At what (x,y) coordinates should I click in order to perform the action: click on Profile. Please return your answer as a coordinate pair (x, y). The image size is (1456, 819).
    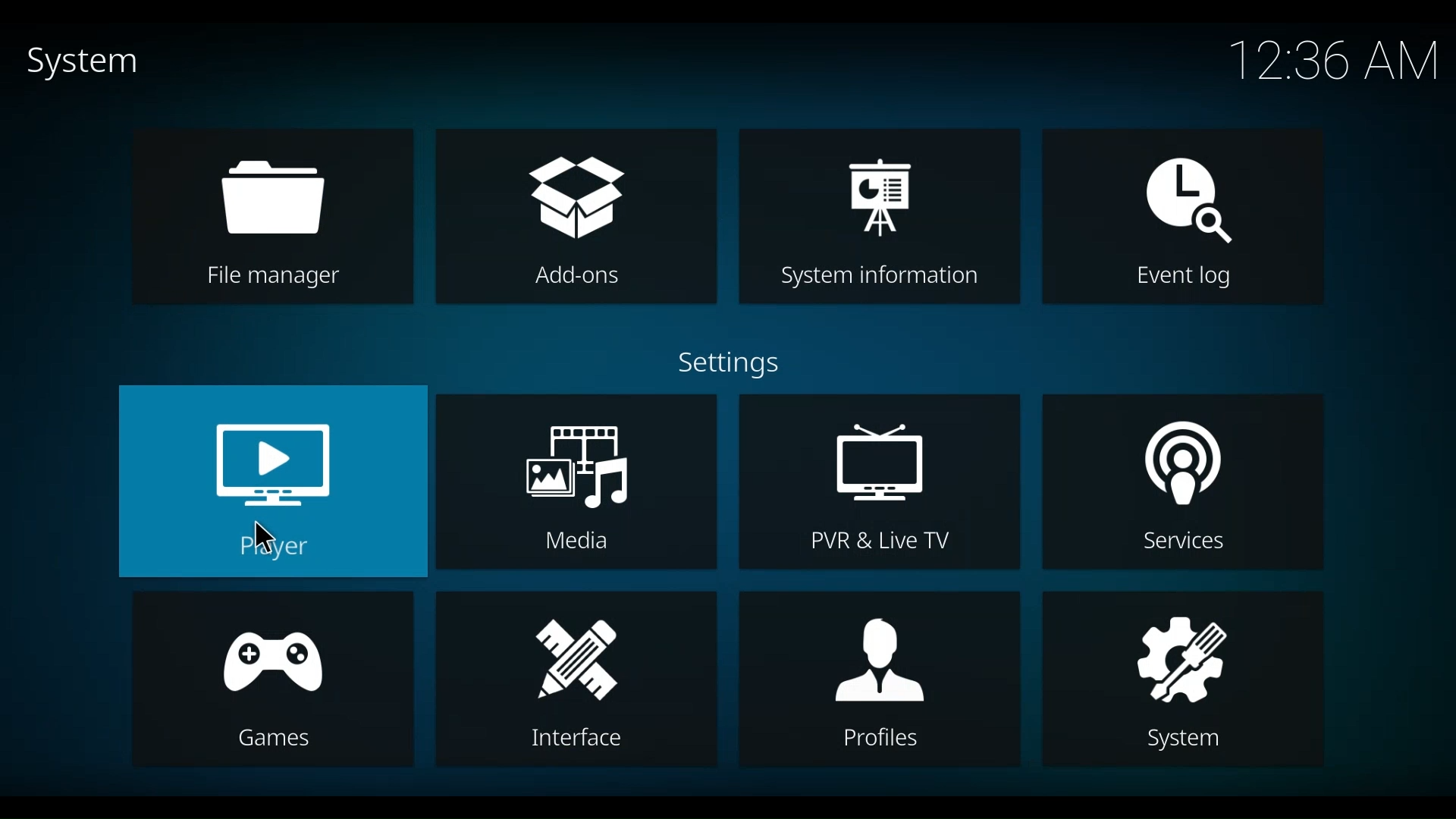
    Looking at the image, I should click on (877, 676).